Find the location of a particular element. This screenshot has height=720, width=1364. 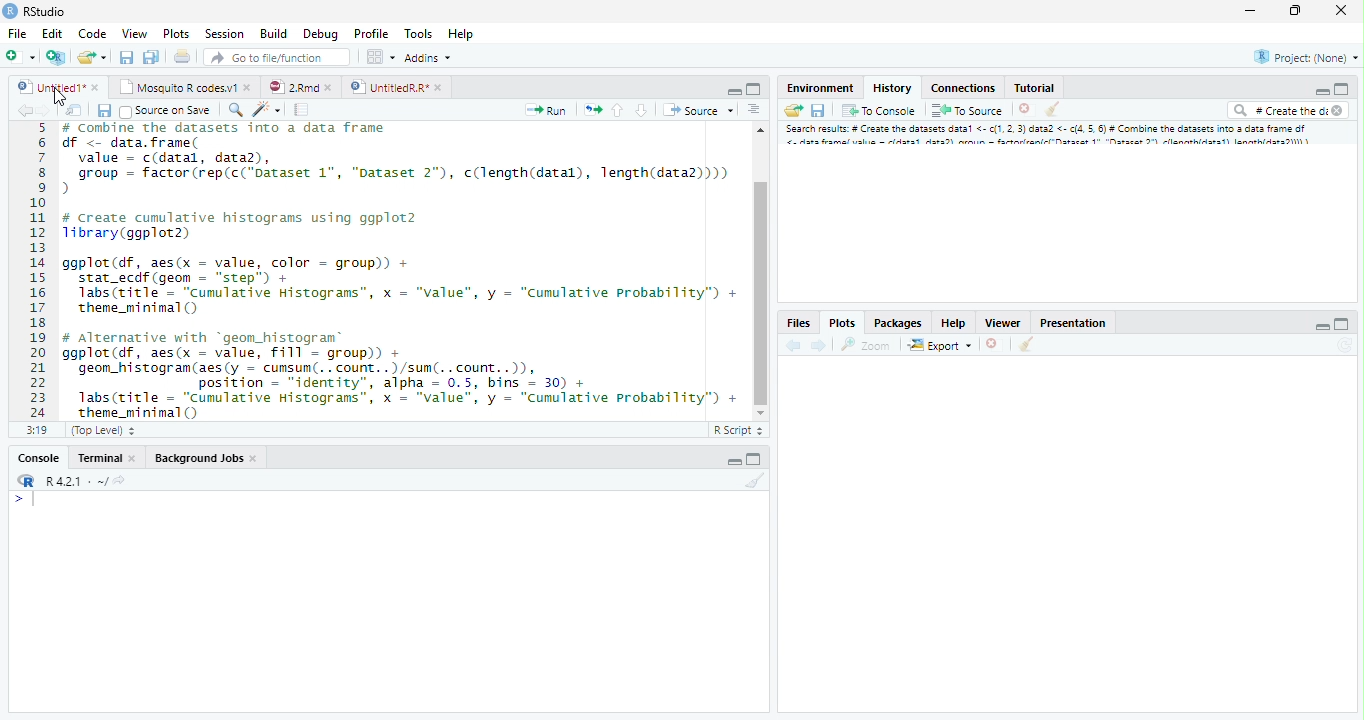

Prsentation is located at coordinates (1069, 321).